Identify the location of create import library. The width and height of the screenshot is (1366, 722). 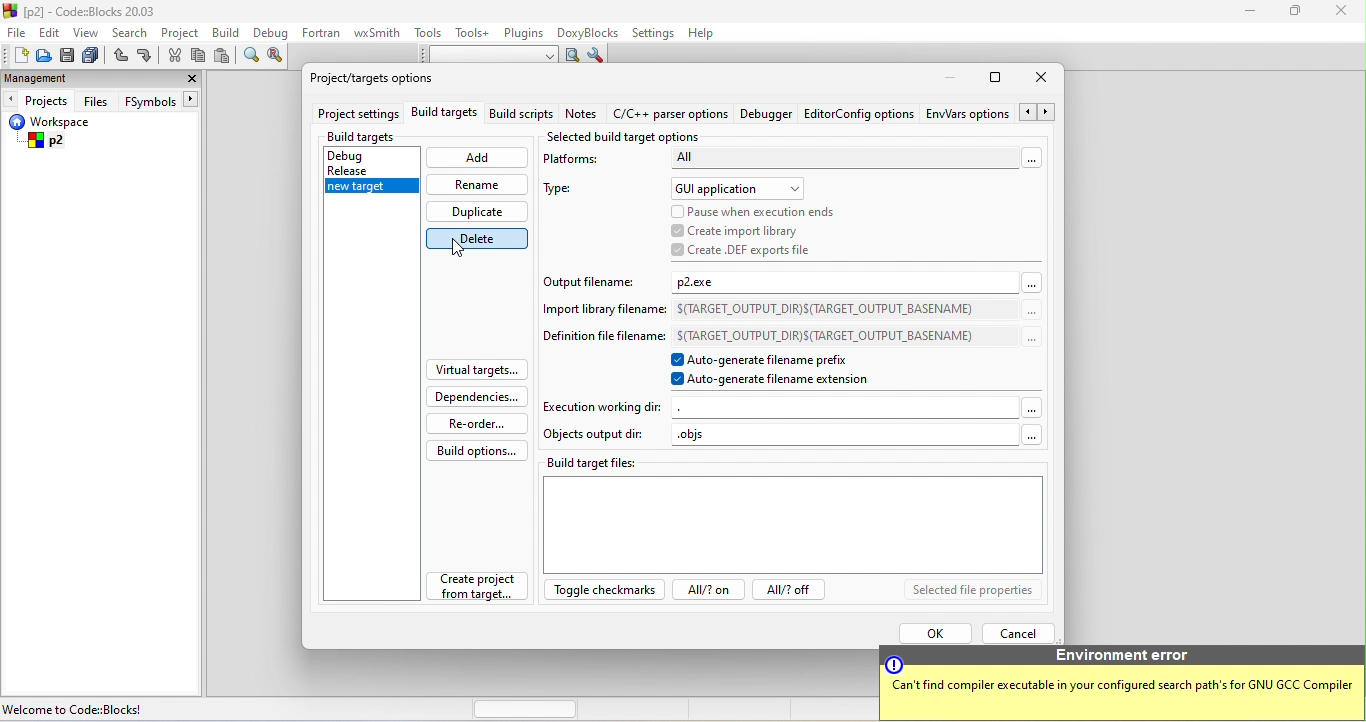
(738, 229).